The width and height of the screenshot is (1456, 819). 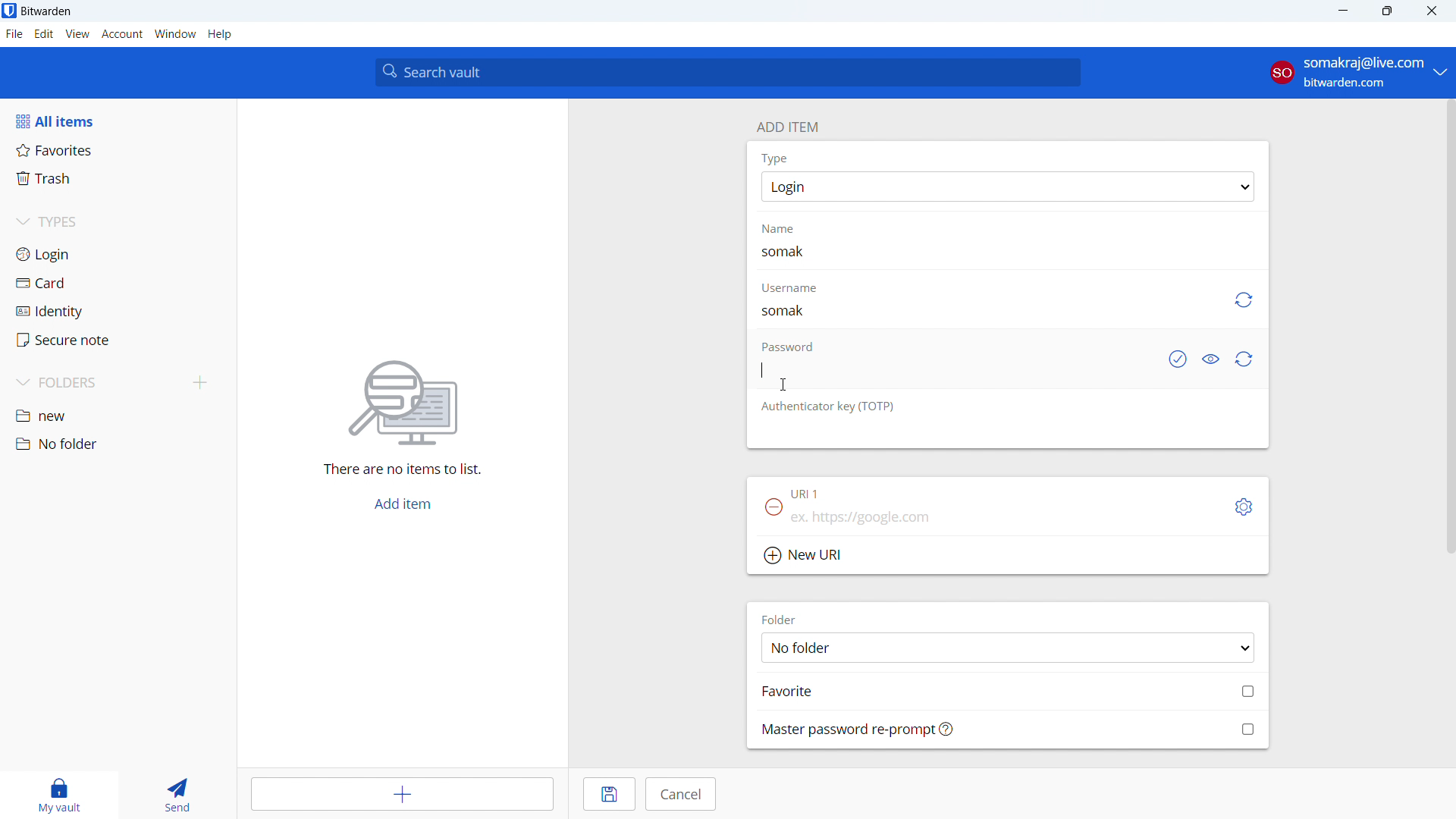 What do you see at coordinates (1242, 300) in the screenshot?
I see `generate username` at bounding box center [1242, 300].